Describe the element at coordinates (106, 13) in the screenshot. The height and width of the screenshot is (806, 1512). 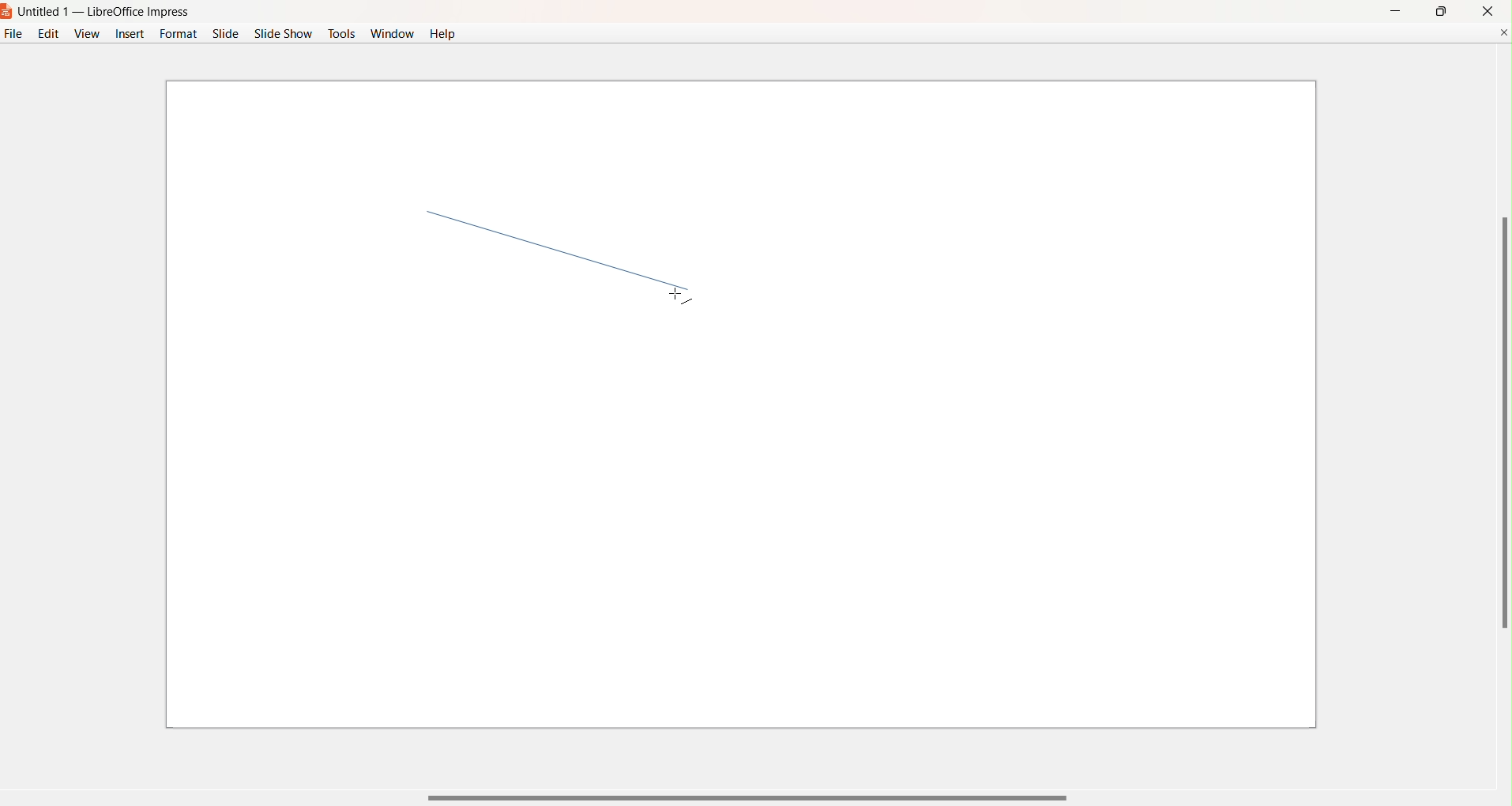
I see `Untitled 1 - LibreOffice Impress` at that location.